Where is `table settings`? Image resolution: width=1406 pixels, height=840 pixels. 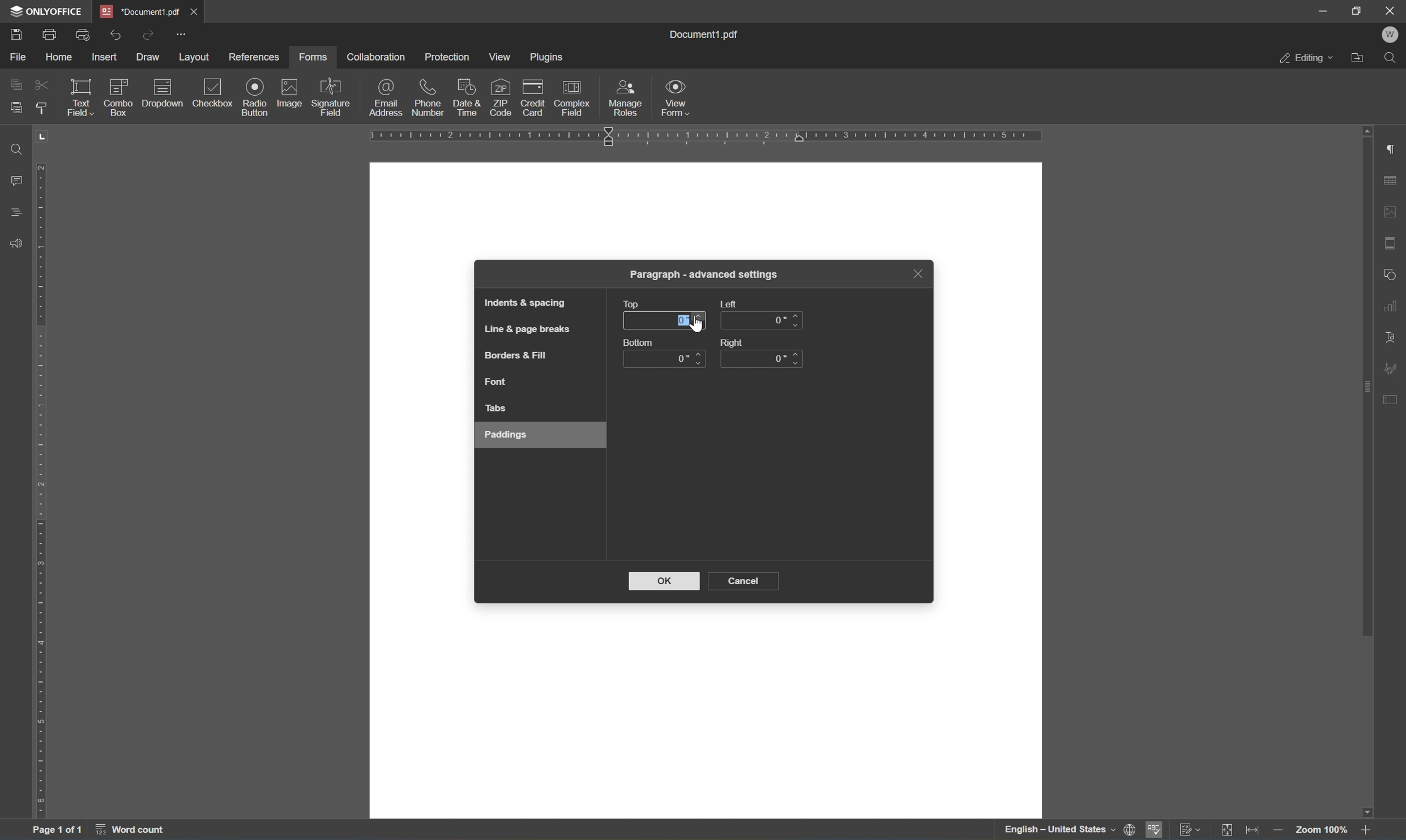
table settings is located at coordinates (1391, 183).